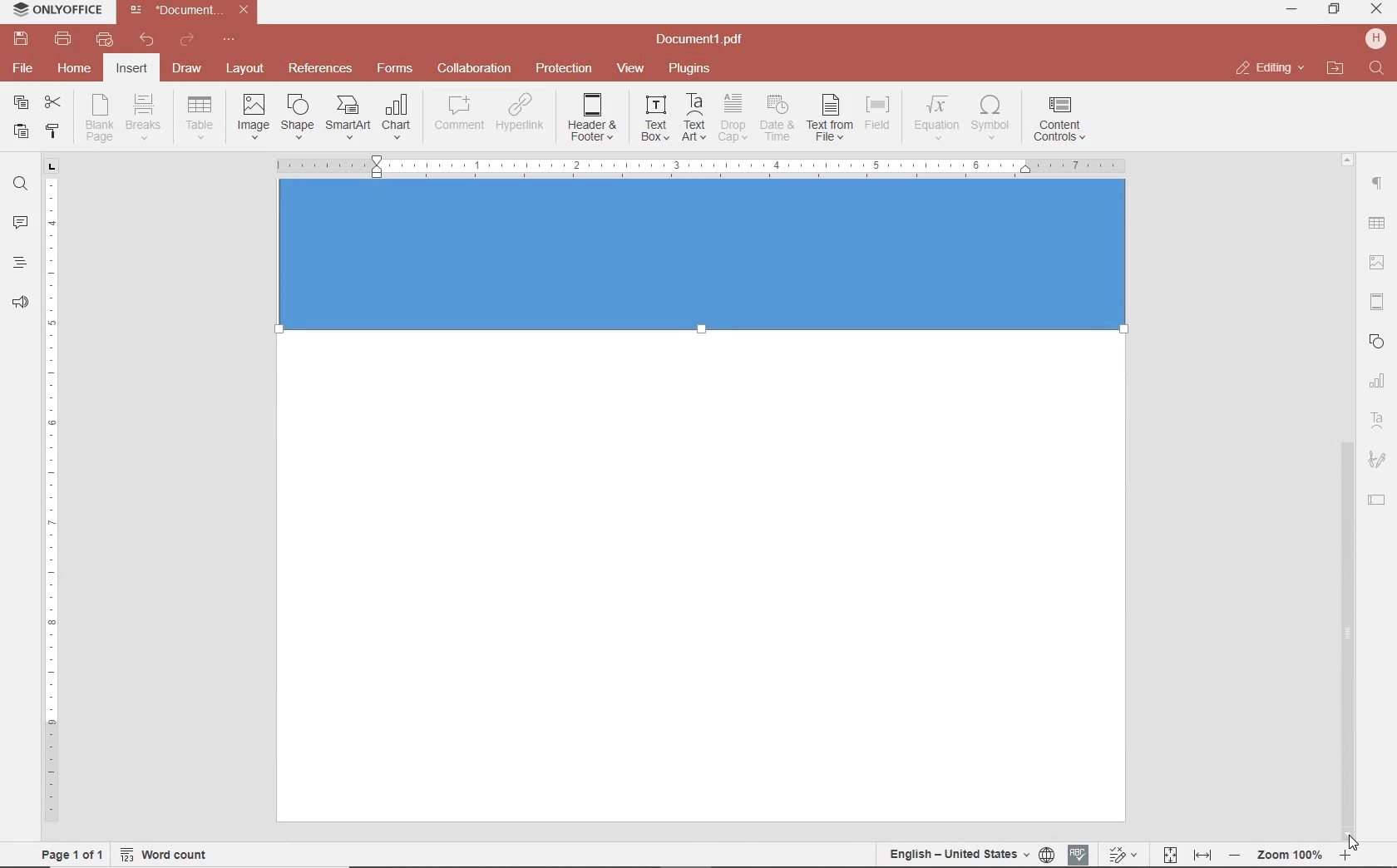 This screenshot has width=1397, height=868. I want to click on IMAGE, so click(1378, 264).